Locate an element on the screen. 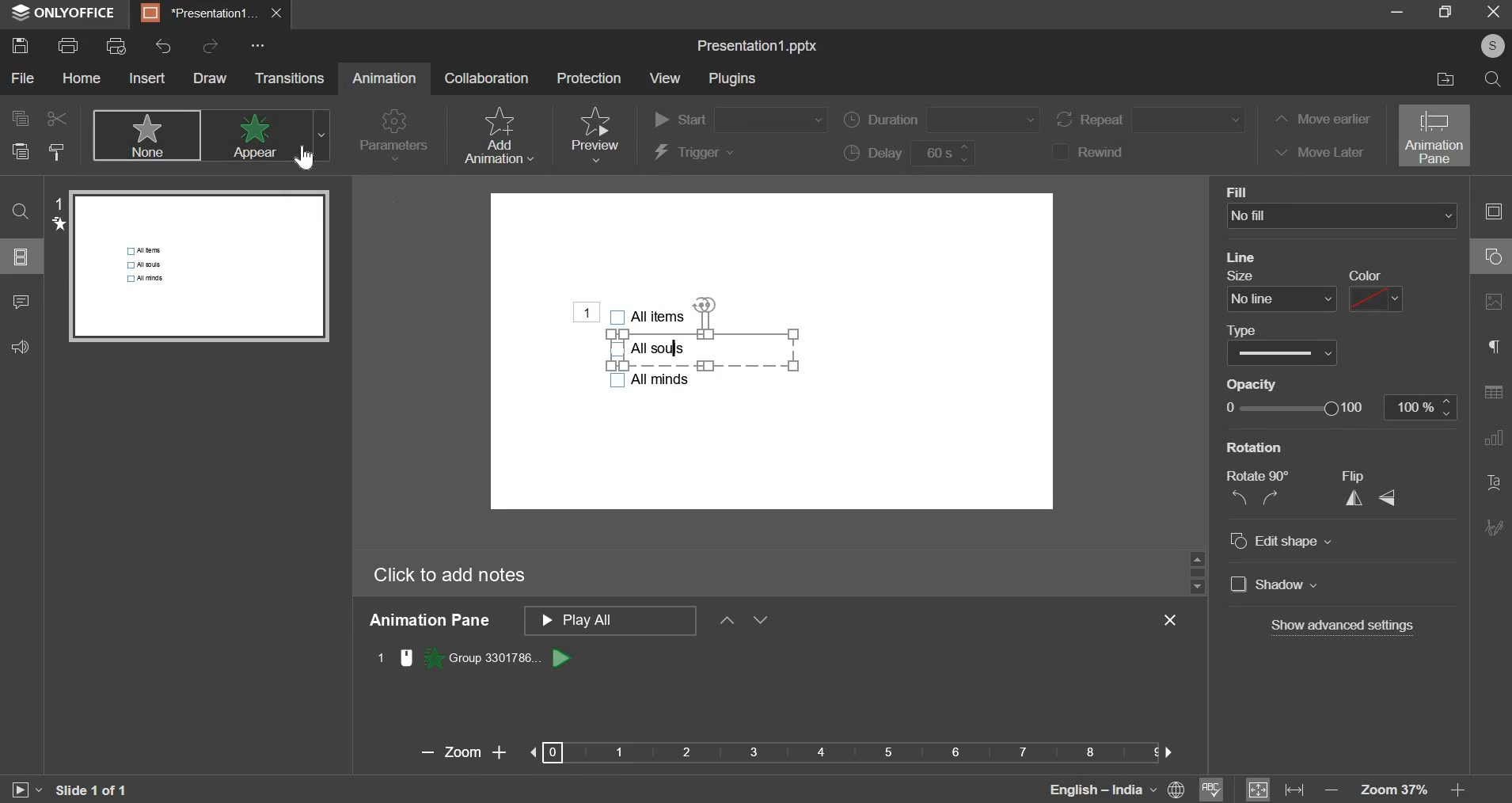 Image resolution: width=1512 pixels, height=803 pixels. click to add notes is located at coordinates (450, 576).